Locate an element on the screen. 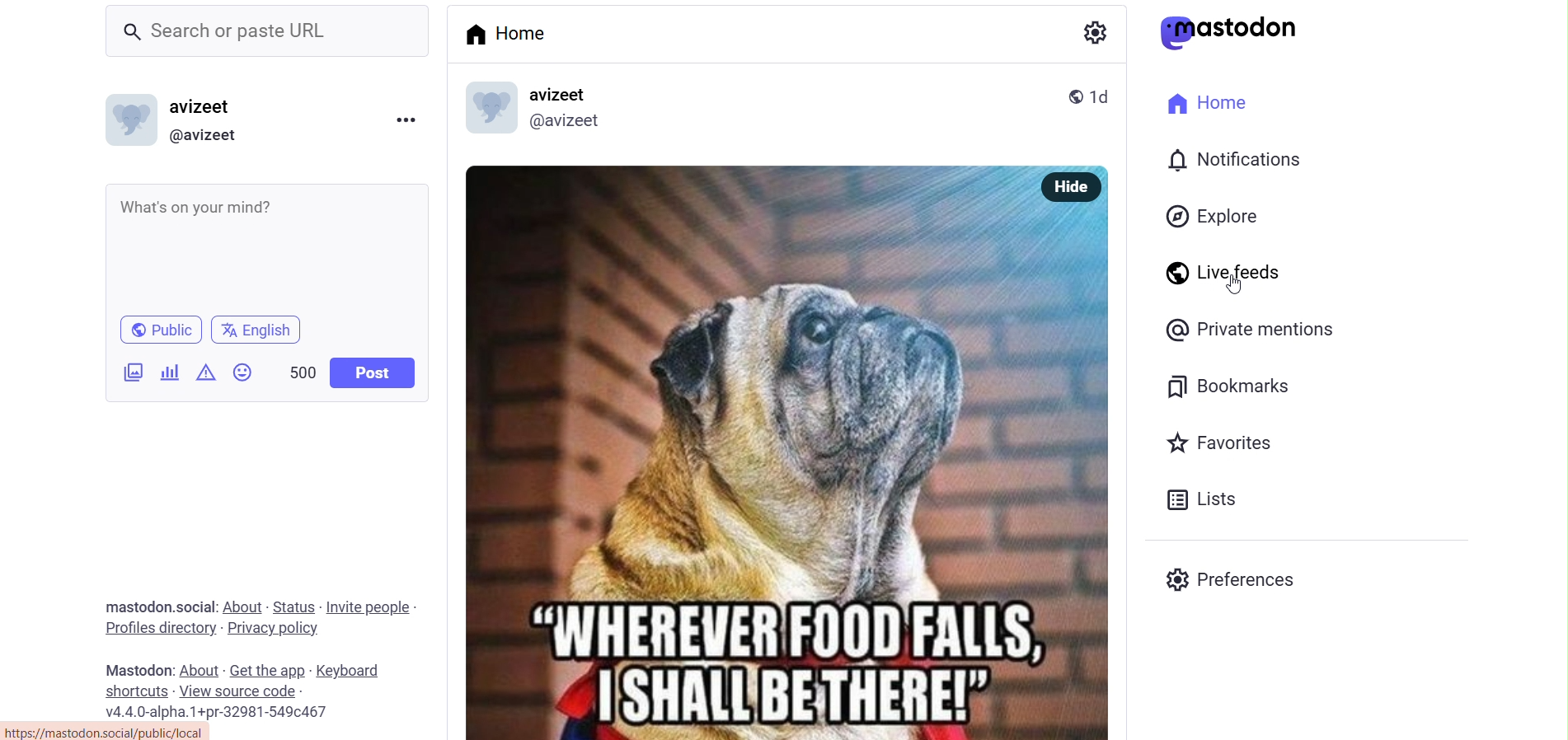  setting is located at coordinates (1093, 34).